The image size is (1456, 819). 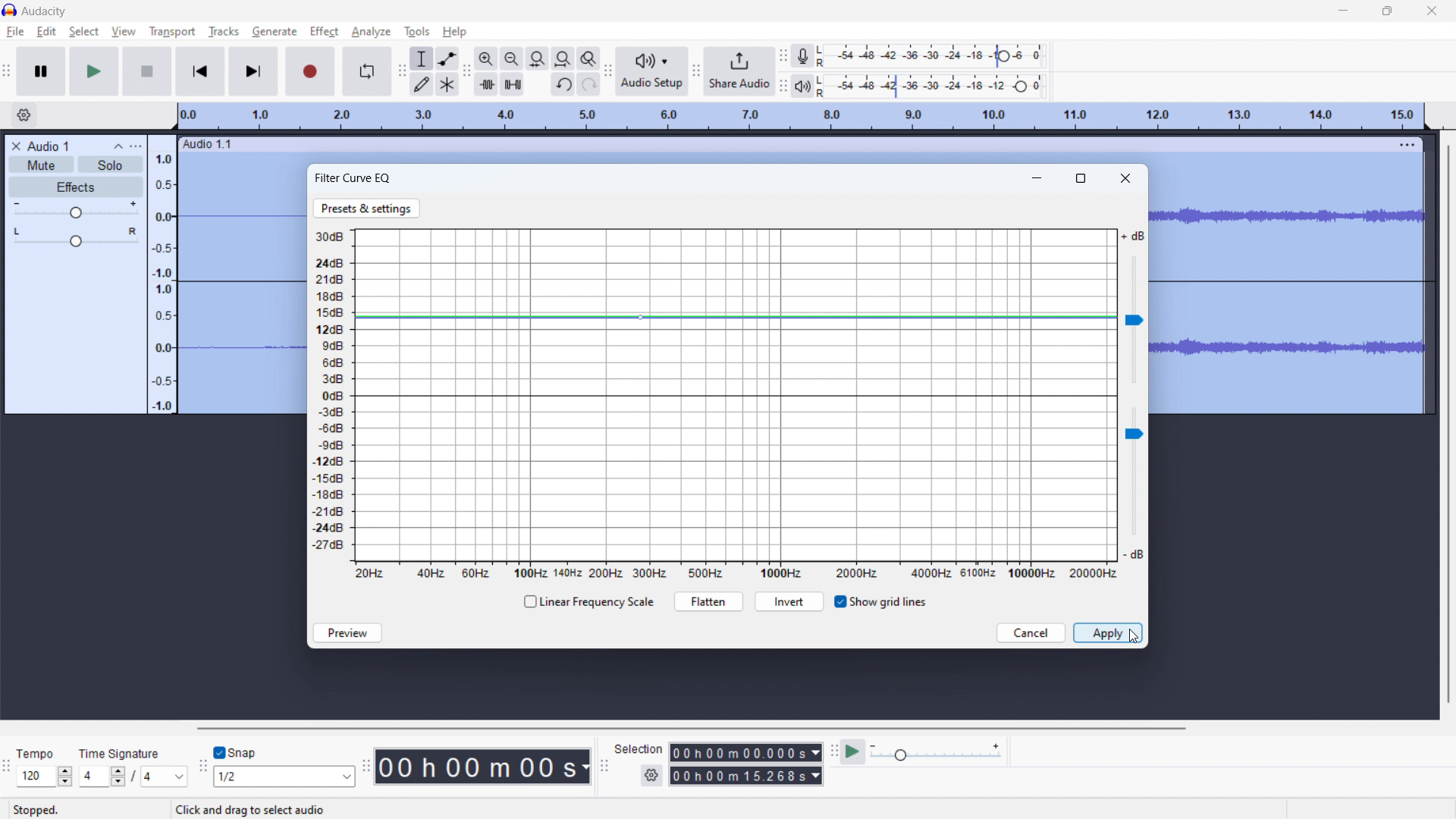 I want to click on presets & settings, so click(x=367, y=209).